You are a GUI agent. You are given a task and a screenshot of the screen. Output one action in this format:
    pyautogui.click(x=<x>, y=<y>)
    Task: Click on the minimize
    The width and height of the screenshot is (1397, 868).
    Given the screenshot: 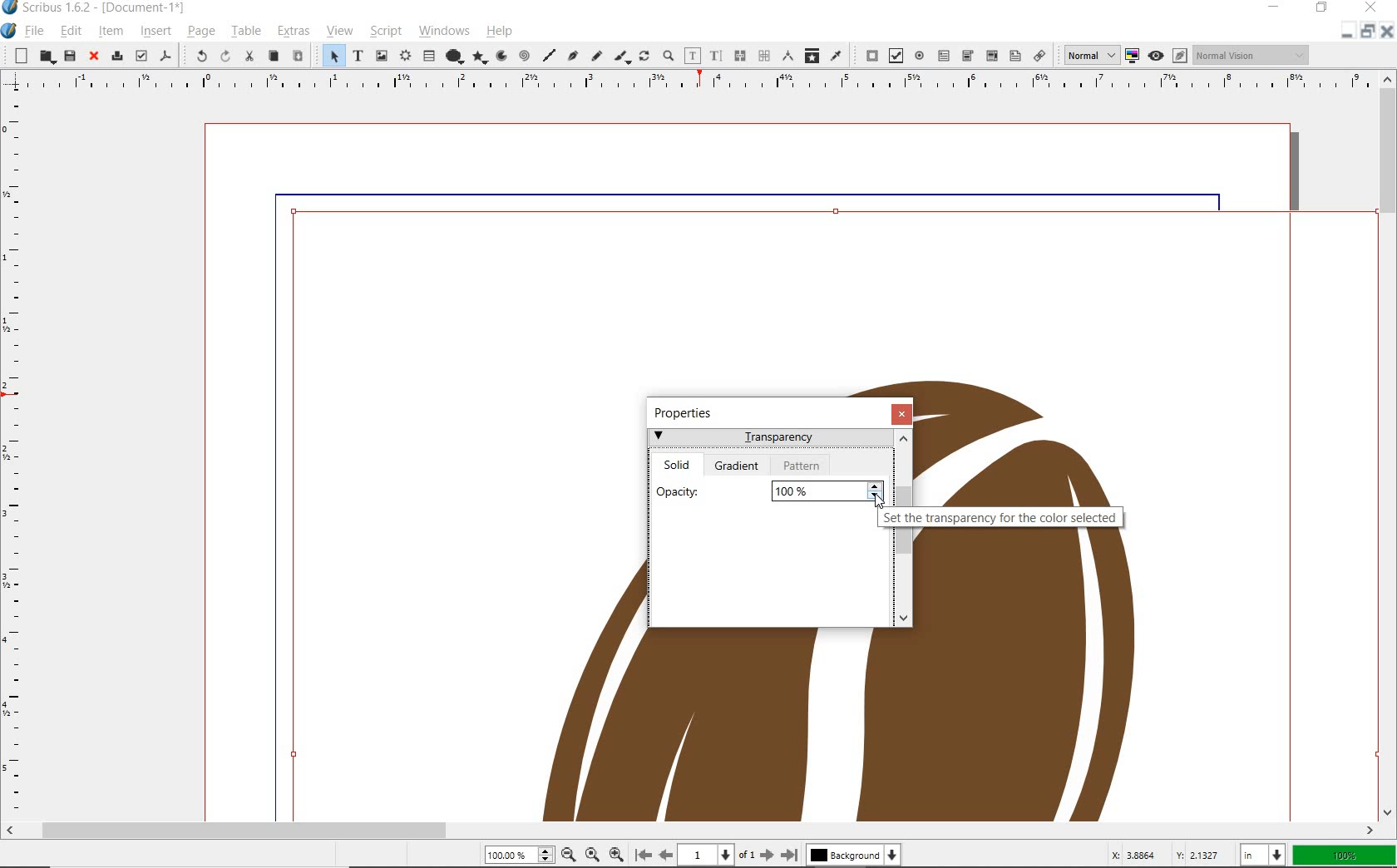 What is the action you would take?
    pyautogui.click(x=1278, y=7)
    